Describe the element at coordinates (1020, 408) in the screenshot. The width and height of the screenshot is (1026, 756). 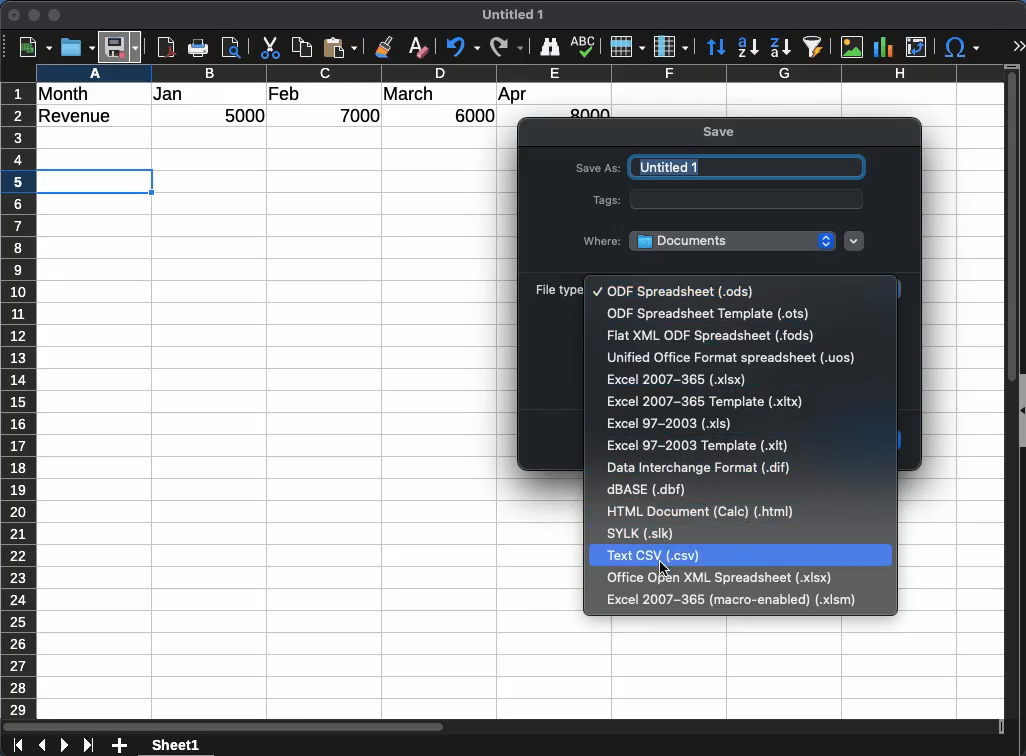
I see `collapse` at that location.